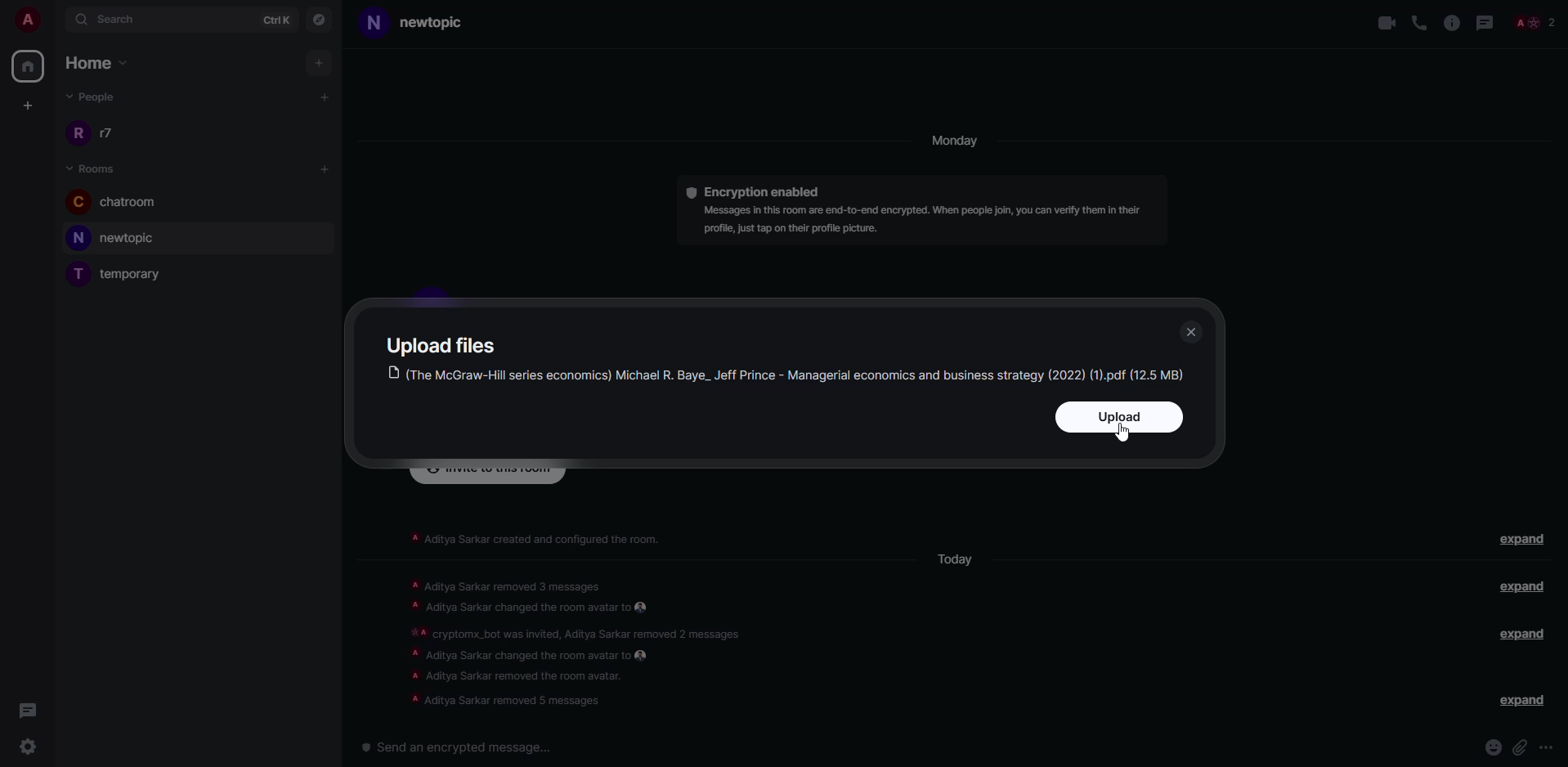 The image size is (1568, 767). I want to click on add, so click(318, 61).